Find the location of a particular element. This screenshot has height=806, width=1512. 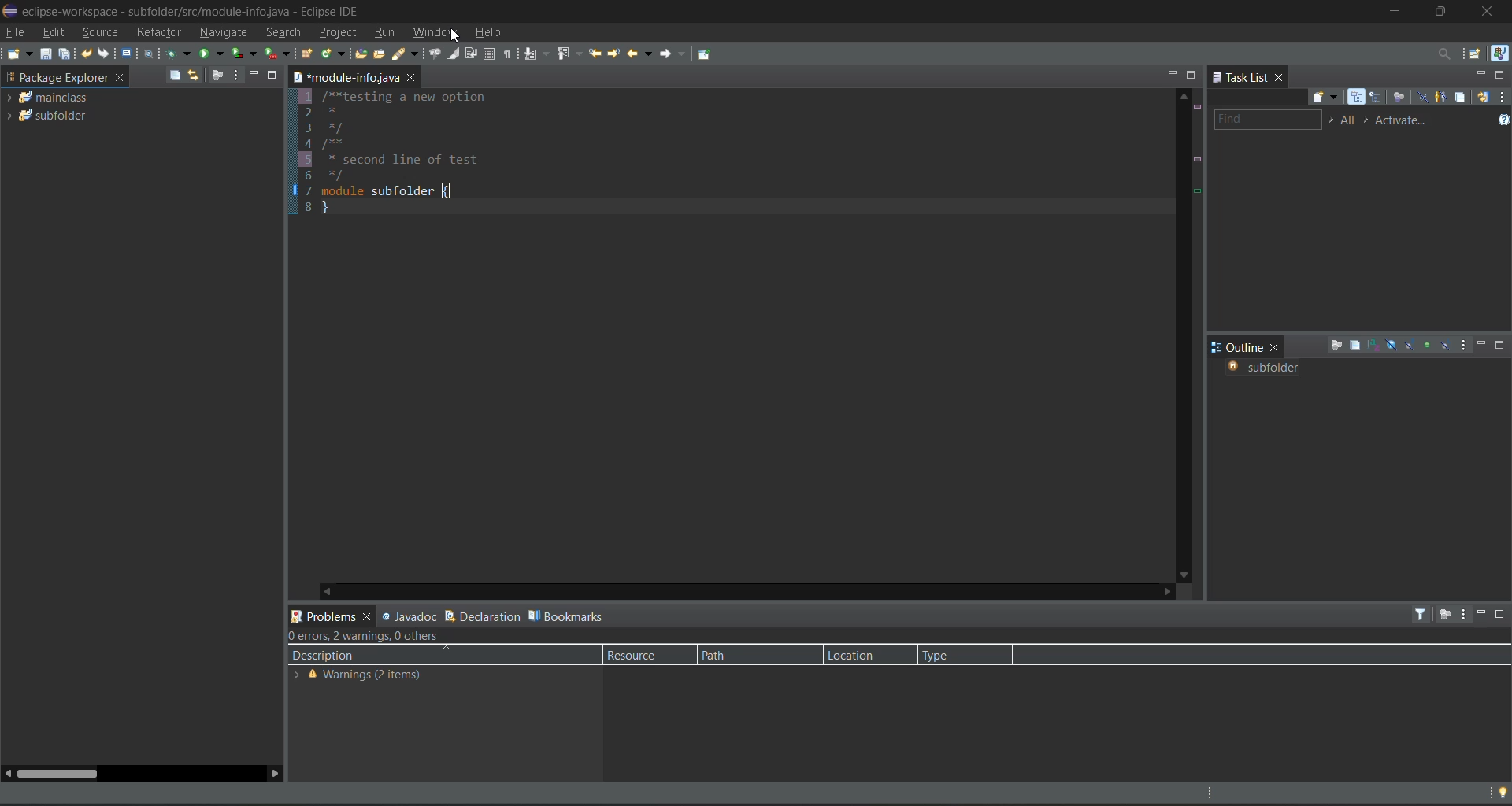

find is located at coordinates (1266, 121).